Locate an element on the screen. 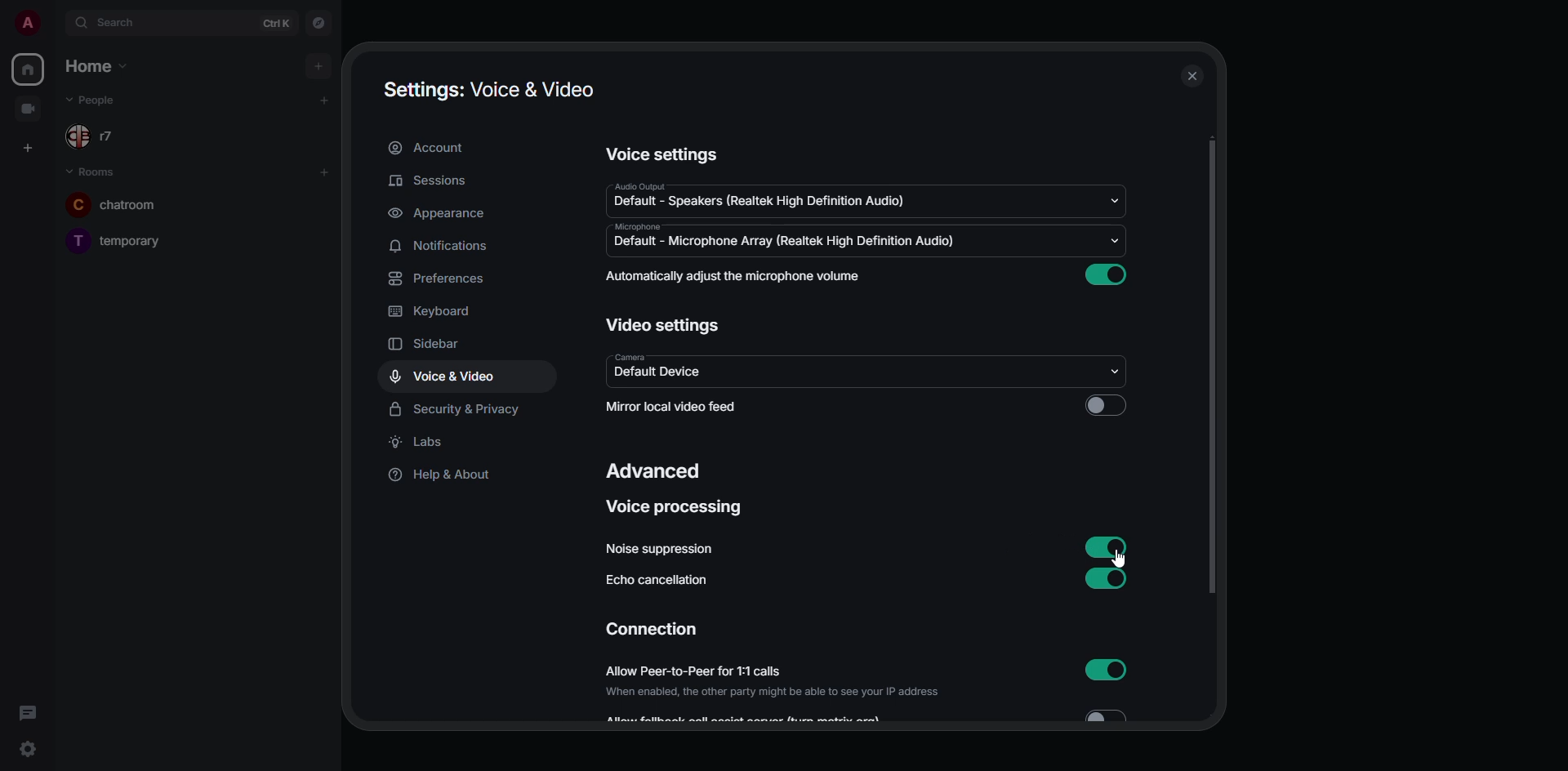 The height and width of the screenshot is (771, 1568). sessions is located at coordinates (429, 182).